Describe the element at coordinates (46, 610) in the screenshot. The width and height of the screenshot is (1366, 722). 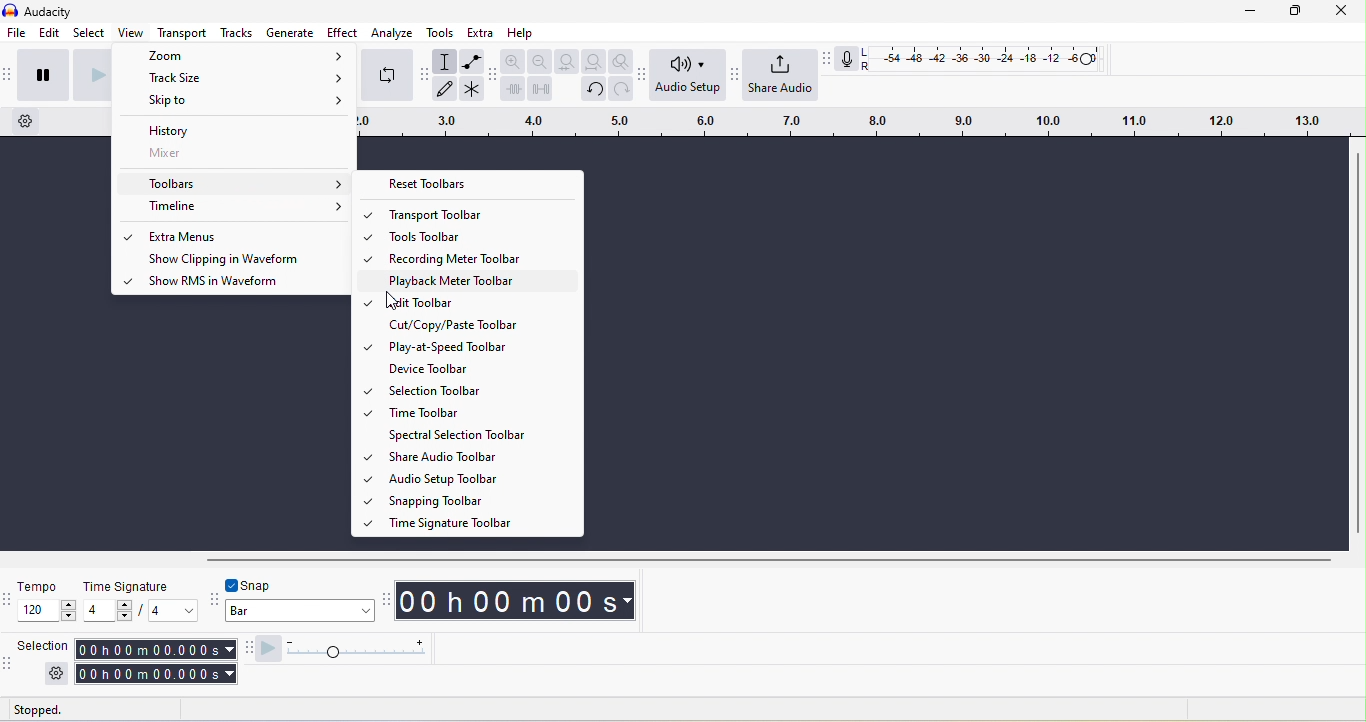
I see `set tempo` at that location.